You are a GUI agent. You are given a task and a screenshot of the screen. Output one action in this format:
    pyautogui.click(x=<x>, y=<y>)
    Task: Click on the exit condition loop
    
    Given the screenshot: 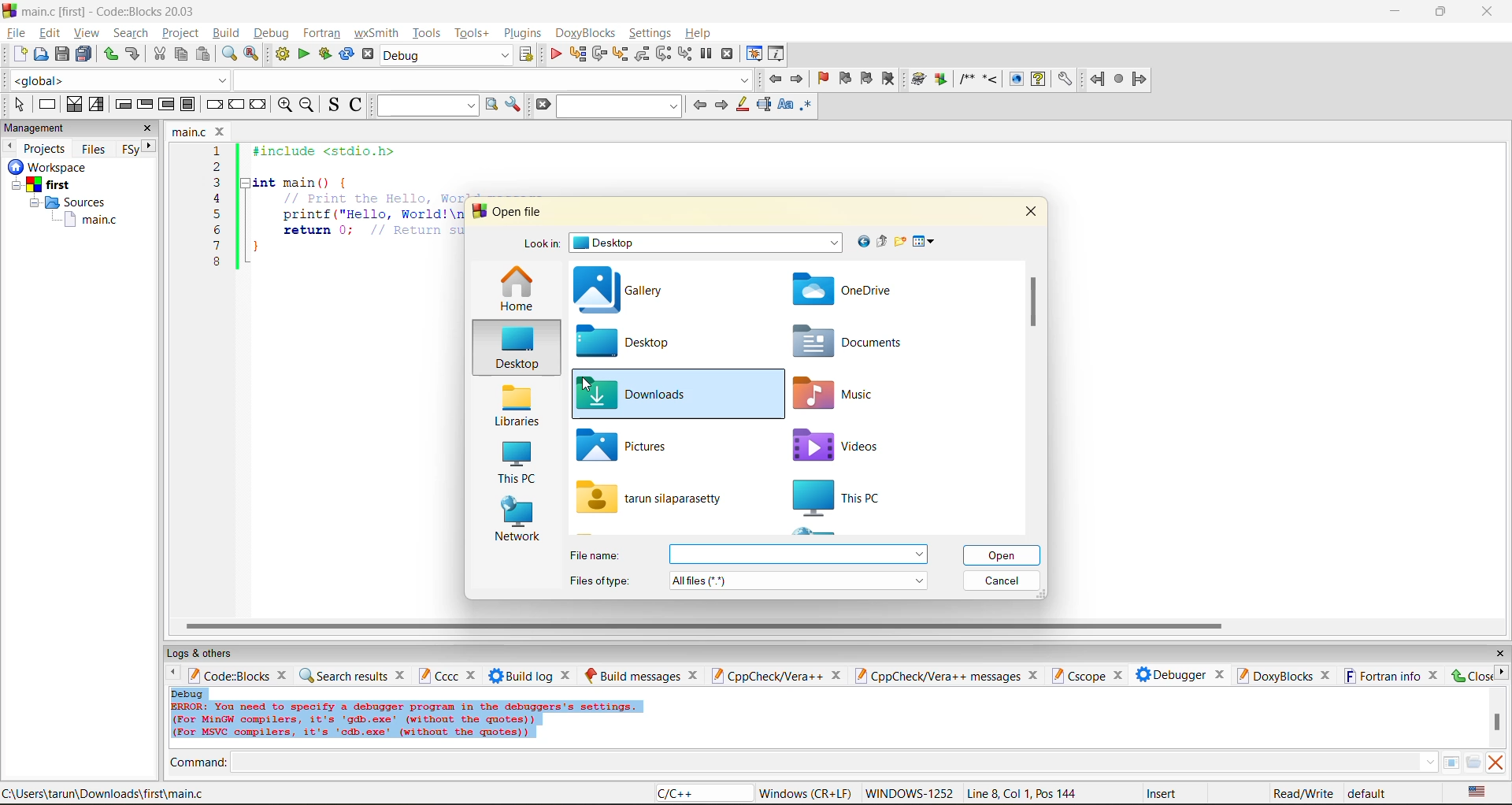 What is the action you would take?
    pyautogui.click(x=145, y=106)
    